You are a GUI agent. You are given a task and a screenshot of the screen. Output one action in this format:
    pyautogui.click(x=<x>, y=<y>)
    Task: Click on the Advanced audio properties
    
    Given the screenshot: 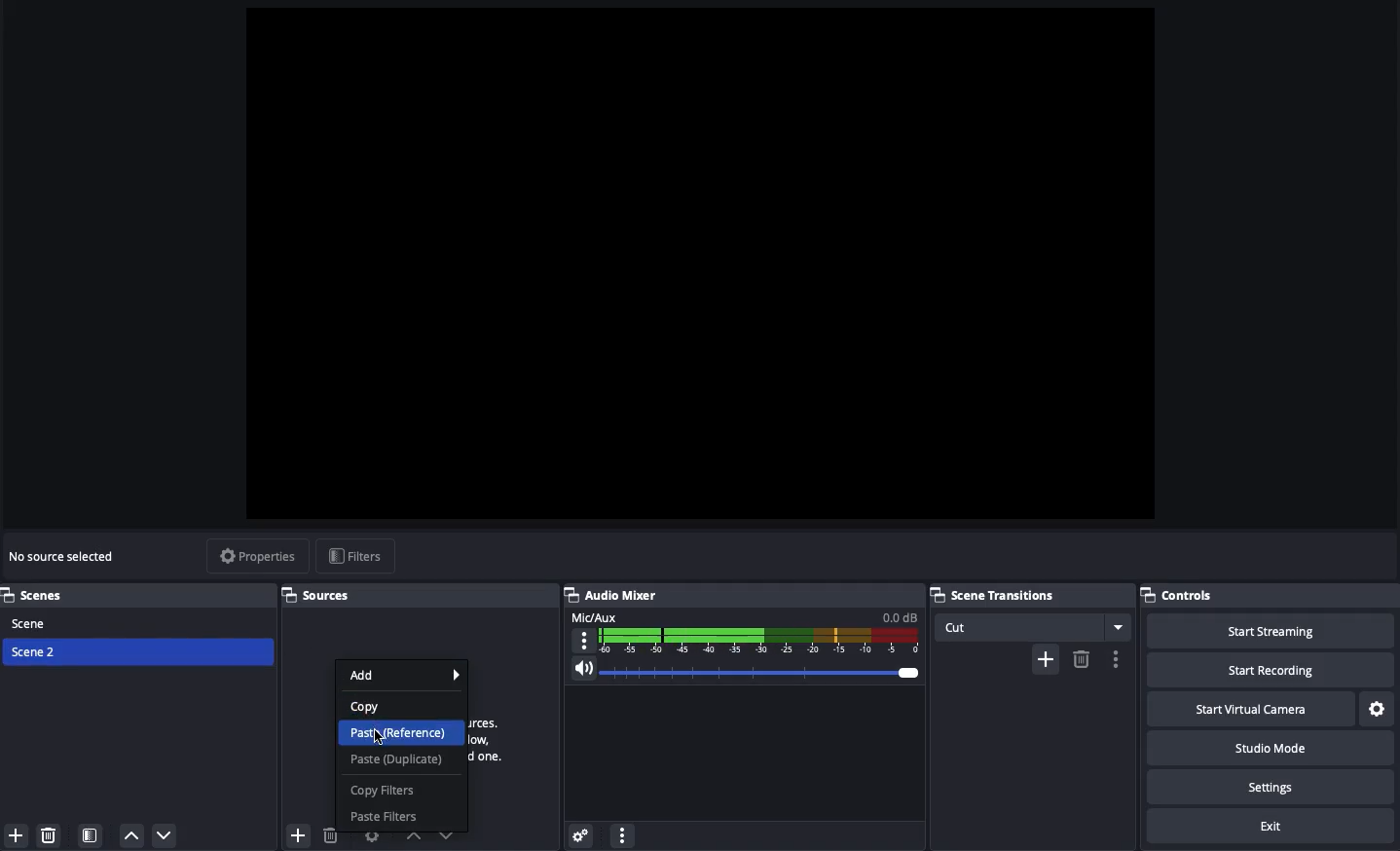 What is the action you would take?
    pyautogui.click(x=581, y=832)
    